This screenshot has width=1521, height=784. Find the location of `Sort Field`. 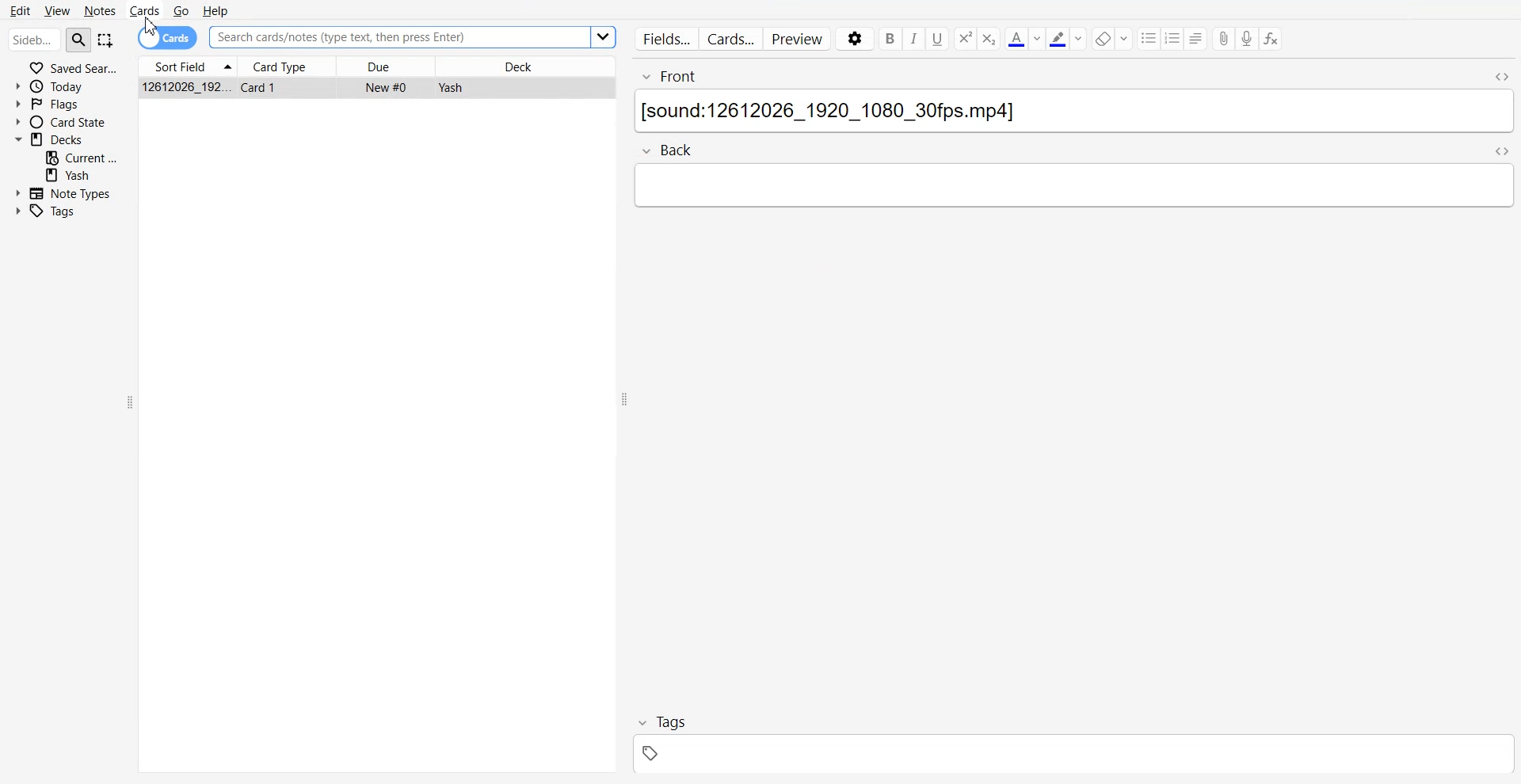

Sort Field is located at coordinates (186, 66).